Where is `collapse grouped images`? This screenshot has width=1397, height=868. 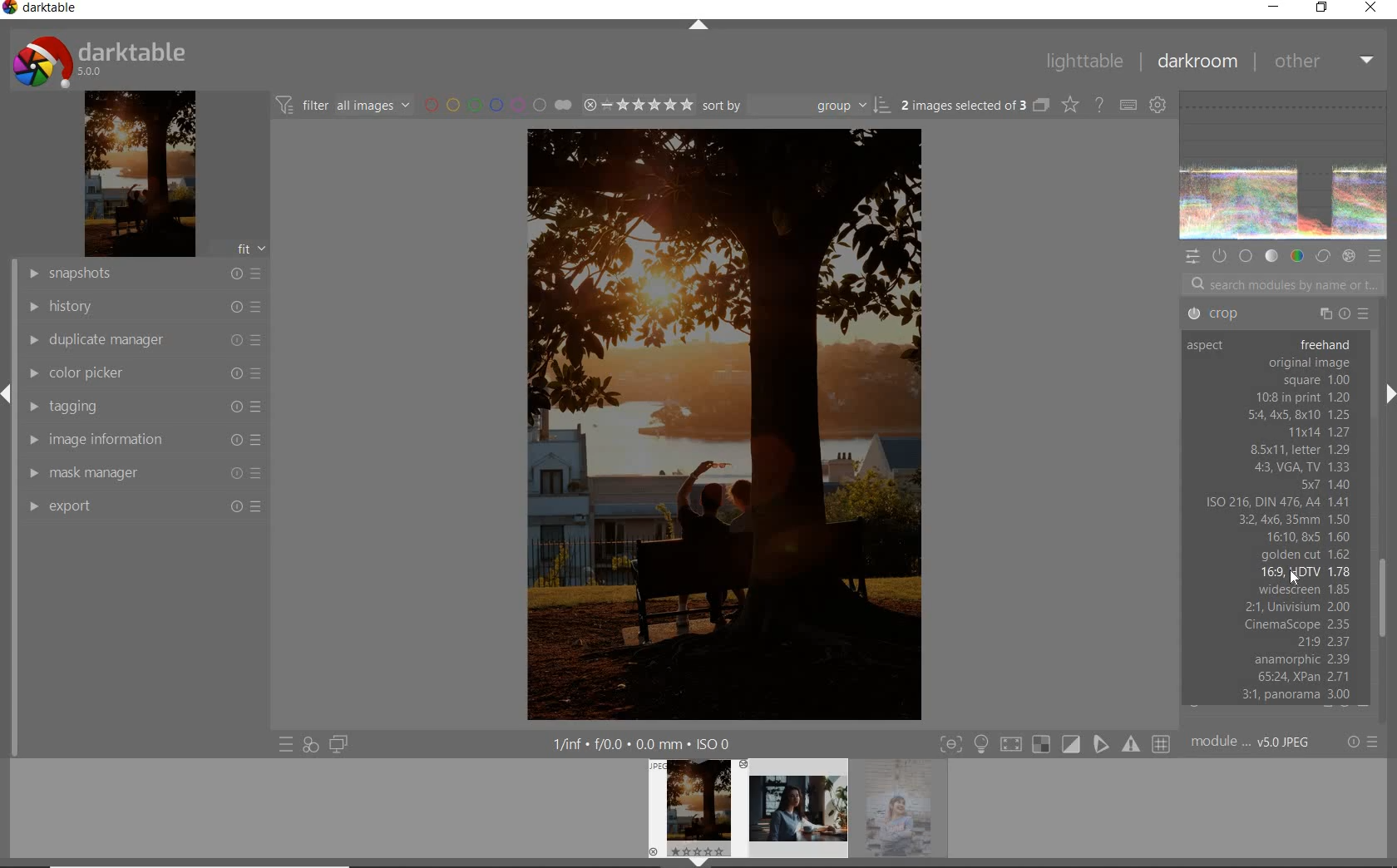 collapse grouped images is located at coordinates (1041, 106).